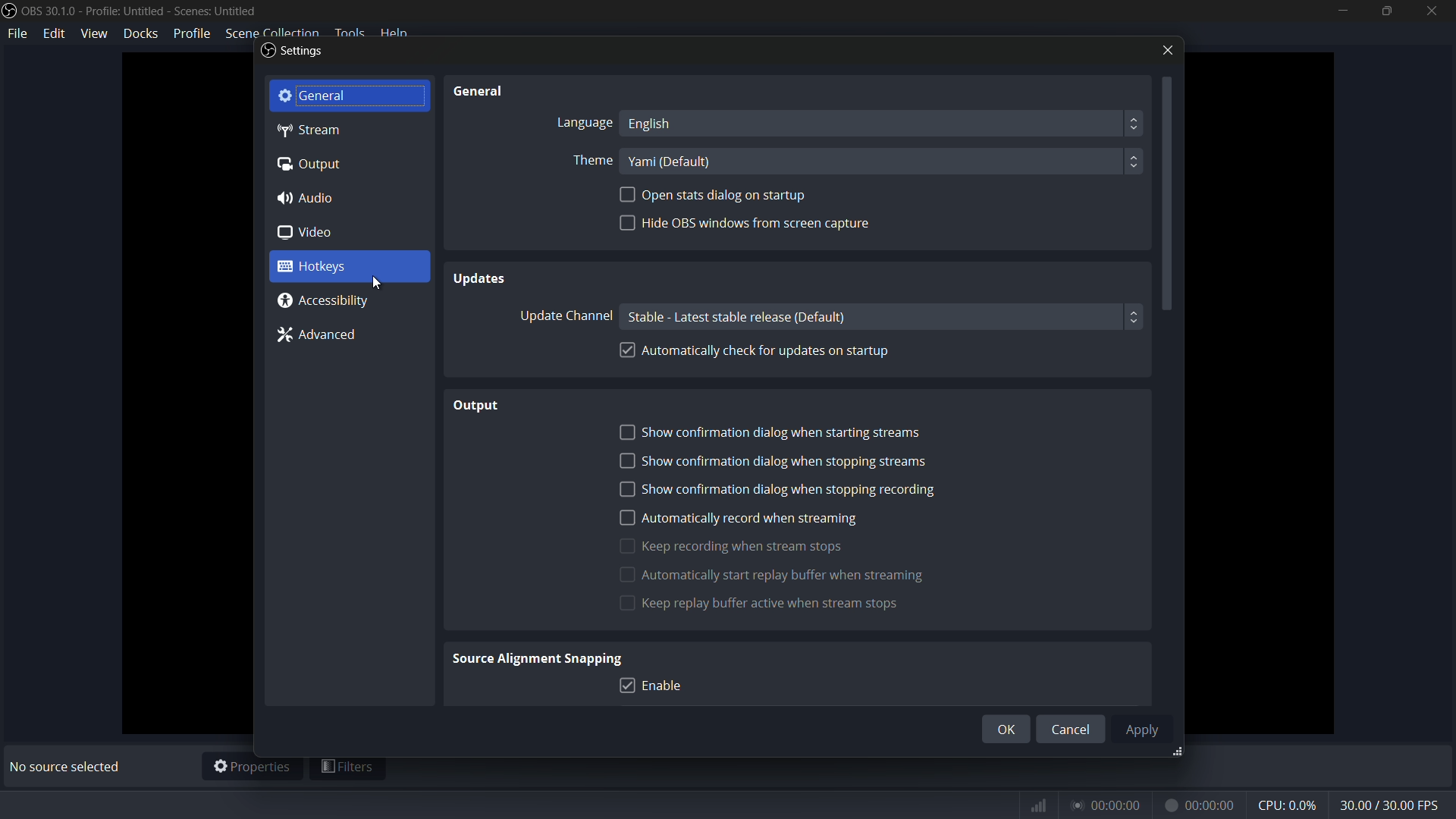 This screenshot has width=1456, height=819. Describe the element at coordinates (312, 163) in the screenshot. I see `output` at that location.